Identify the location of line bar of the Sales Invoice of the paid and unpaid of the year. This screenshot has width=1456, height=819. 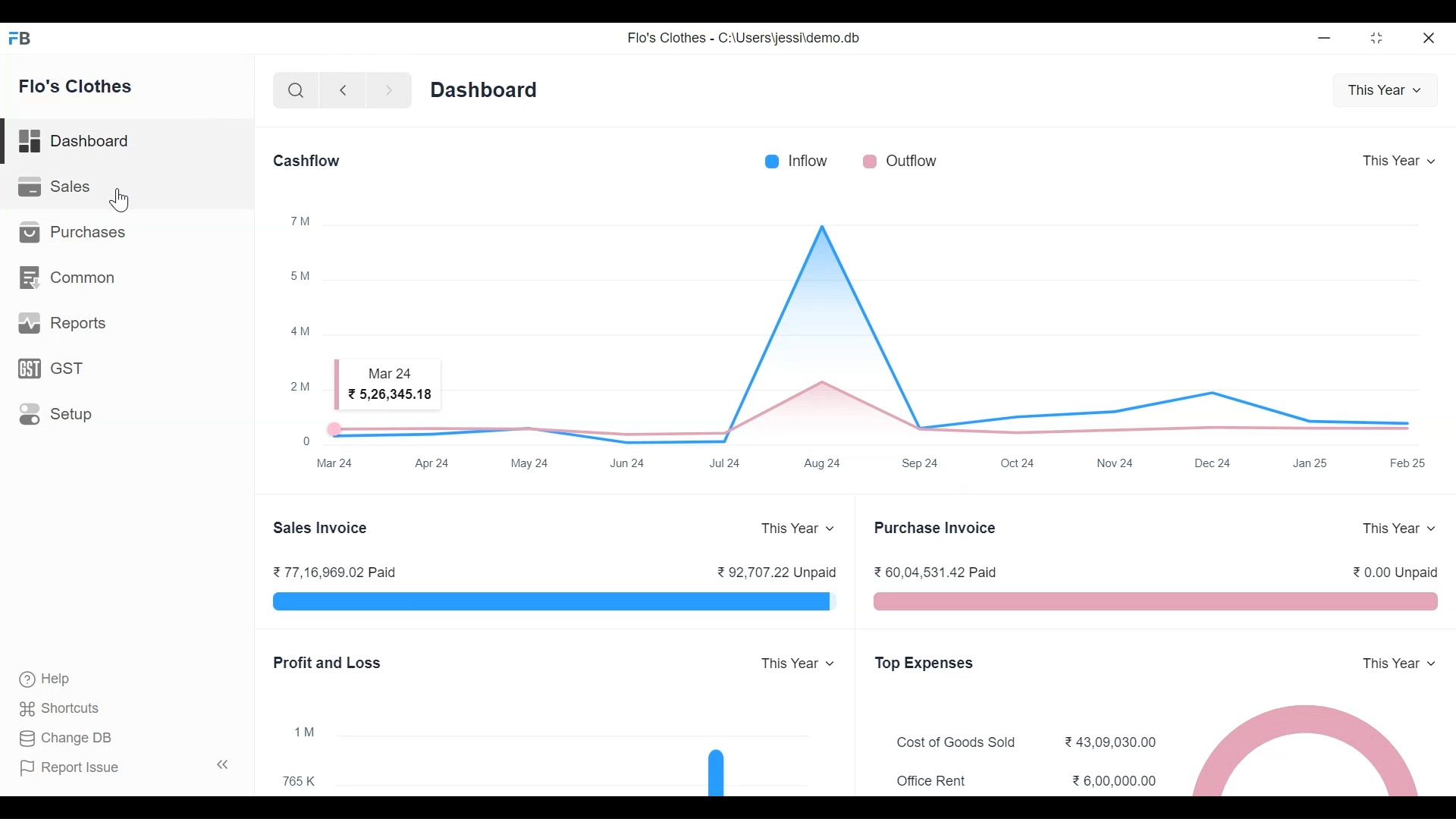
(554, 603).